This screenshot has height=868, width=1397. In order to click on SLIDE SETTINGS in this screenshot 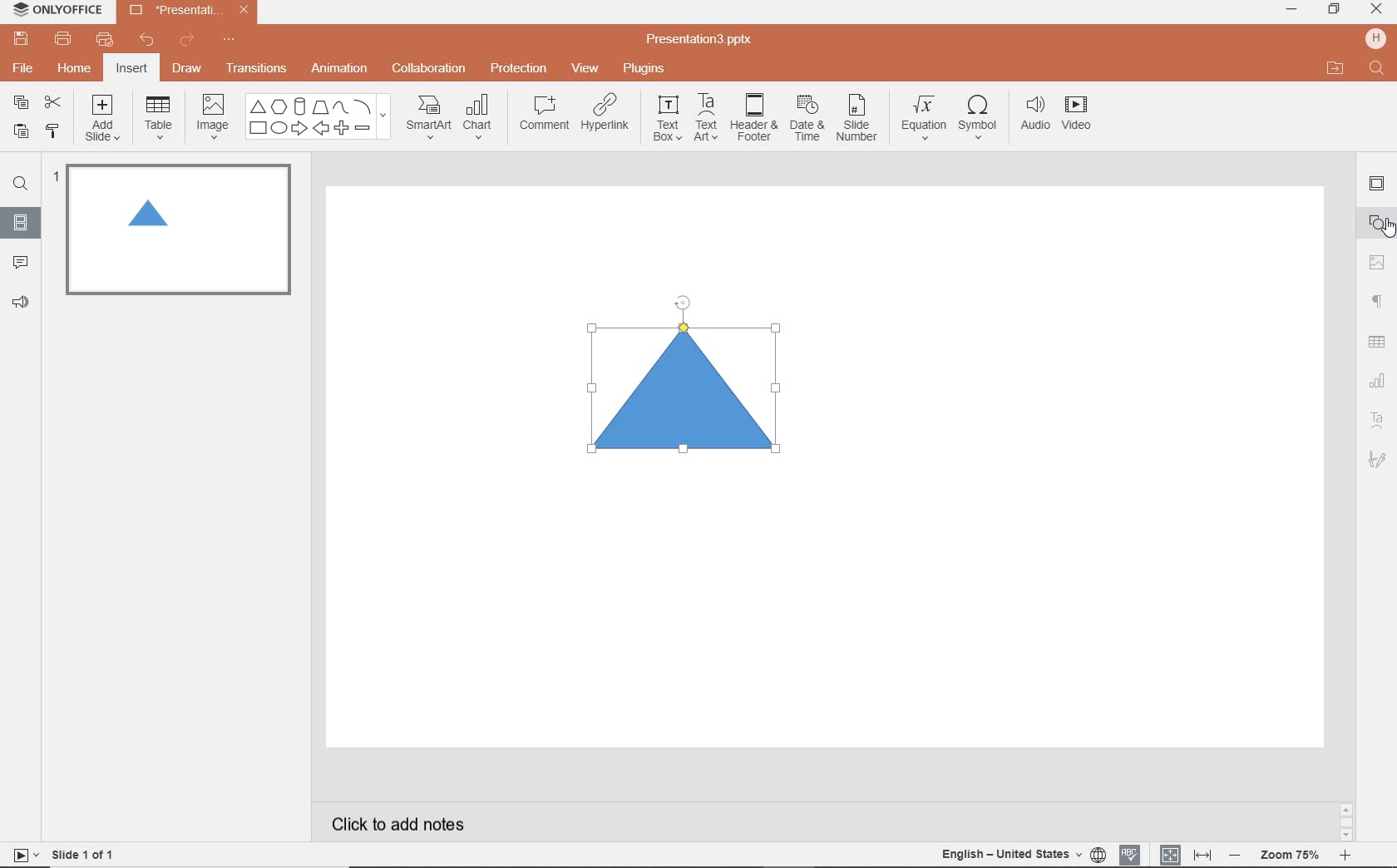, I will do `click(1377, 185)`.